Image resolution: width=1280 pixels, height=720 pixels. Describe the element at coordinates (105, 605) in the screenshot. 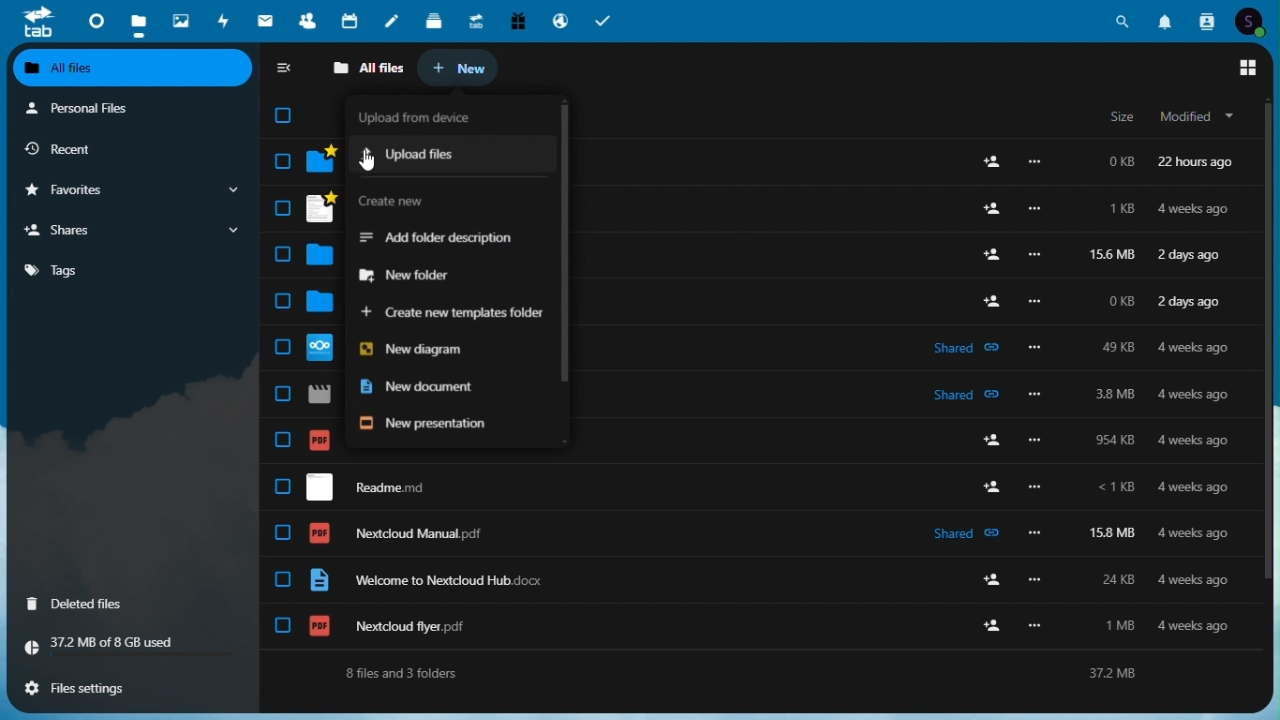

I see `Deleted files ` at that location.